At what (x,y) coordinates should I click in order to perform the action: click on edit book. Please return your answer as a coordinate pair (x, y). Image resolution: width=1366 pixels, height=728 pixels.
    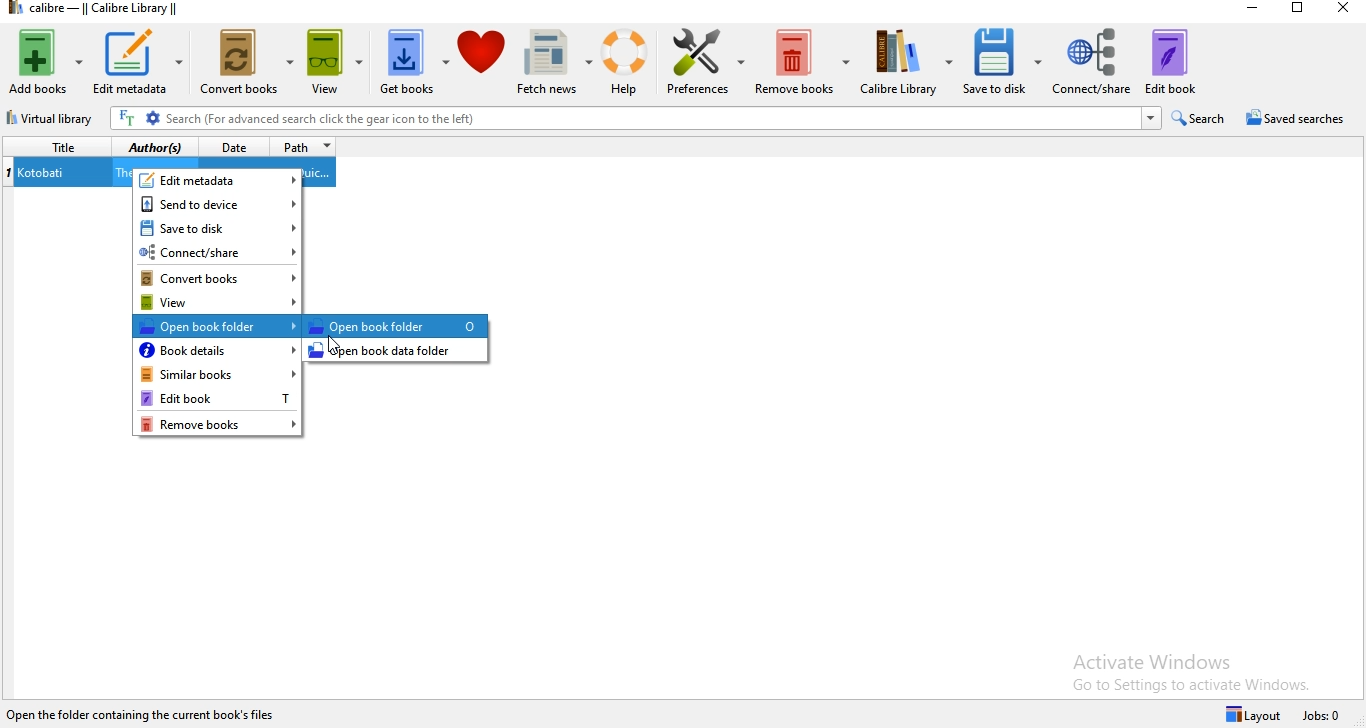
    Looking at the image, I should click on (1170, 61).